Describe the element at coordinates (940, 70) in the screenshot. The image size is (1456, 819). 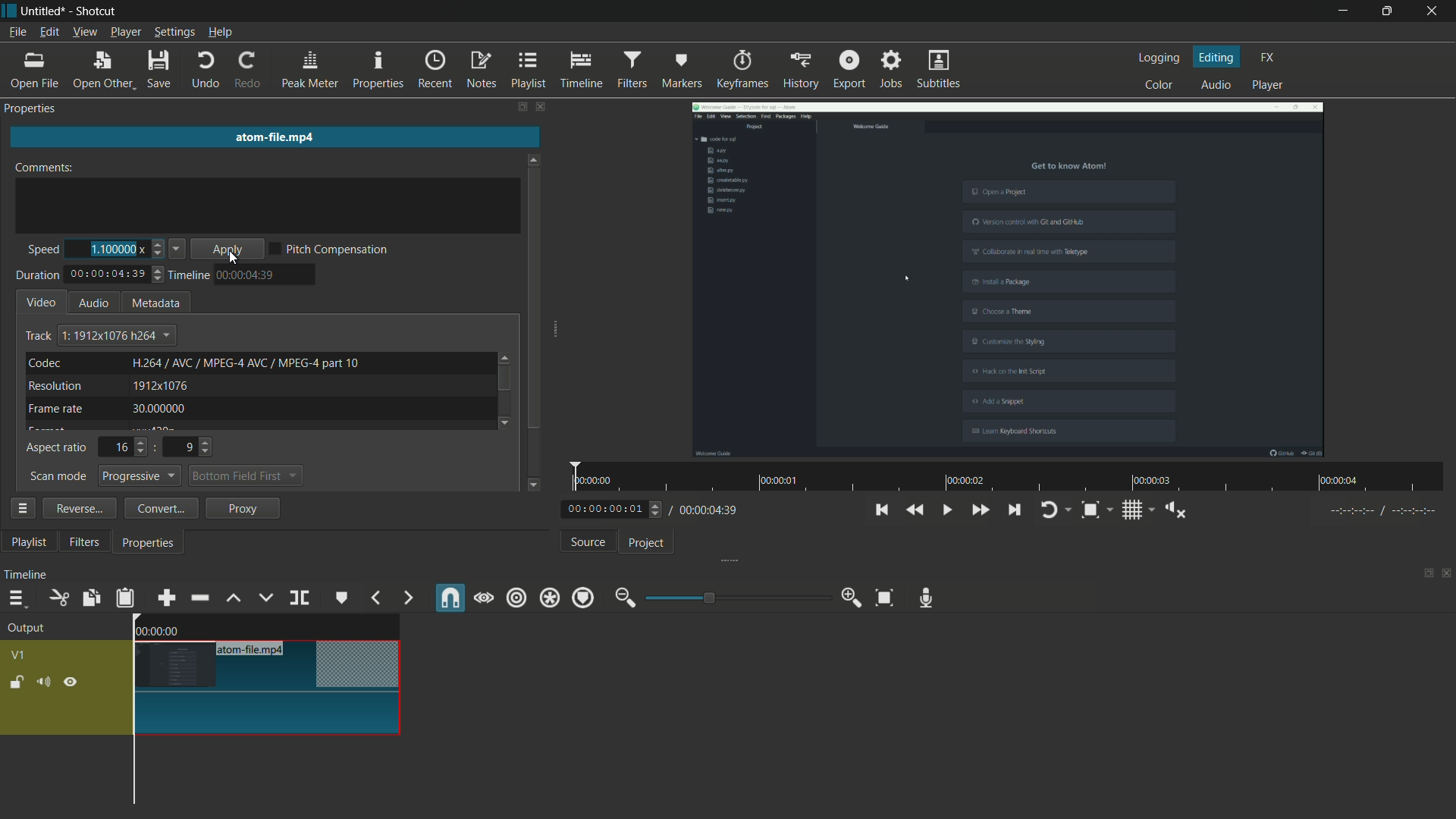
I see `subtitles` at that location.